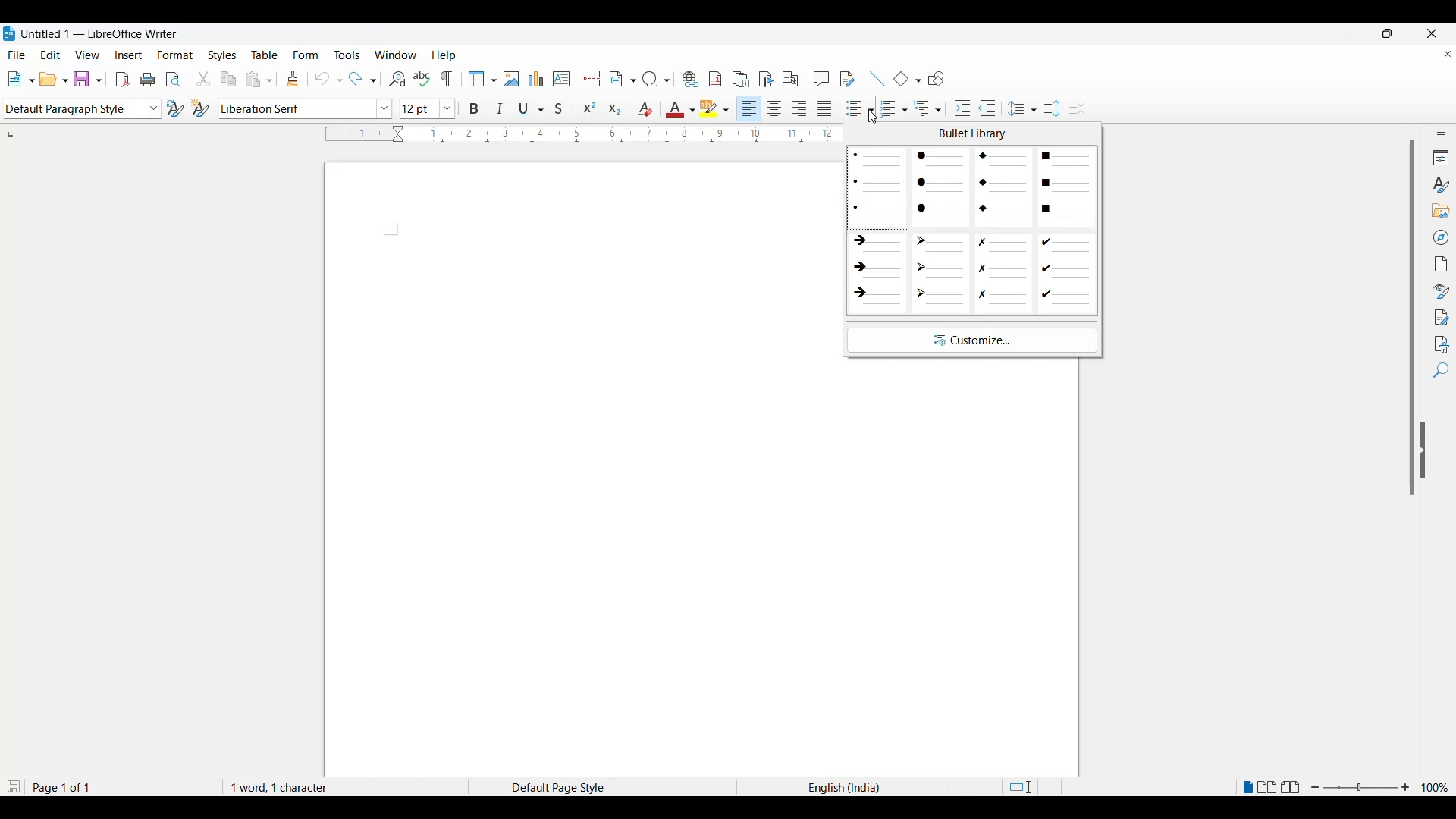 The height and width of the screenshot is (819, 1456). Describe the element at coordinates (1291, 786) in the screenshot. I see `Book view` at that location.